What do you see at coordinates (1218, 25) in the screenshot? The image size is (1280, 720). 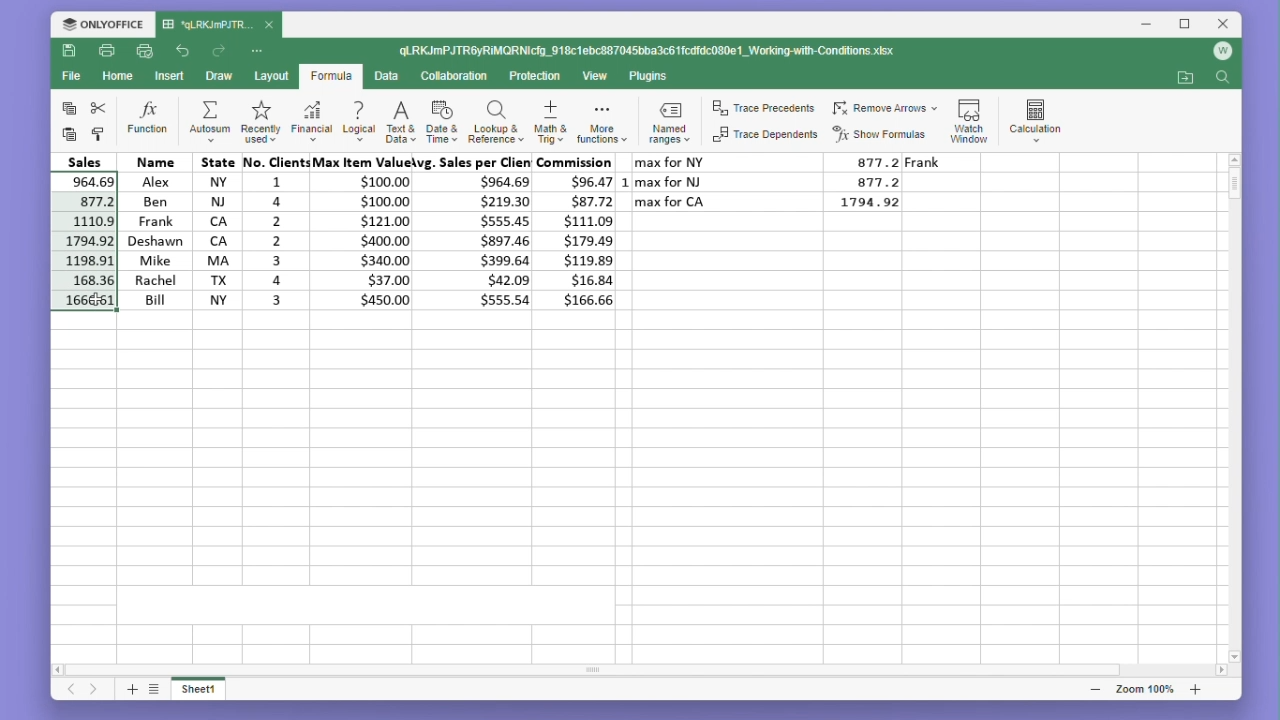 I see `Close` at bounding box center [1218, 25].